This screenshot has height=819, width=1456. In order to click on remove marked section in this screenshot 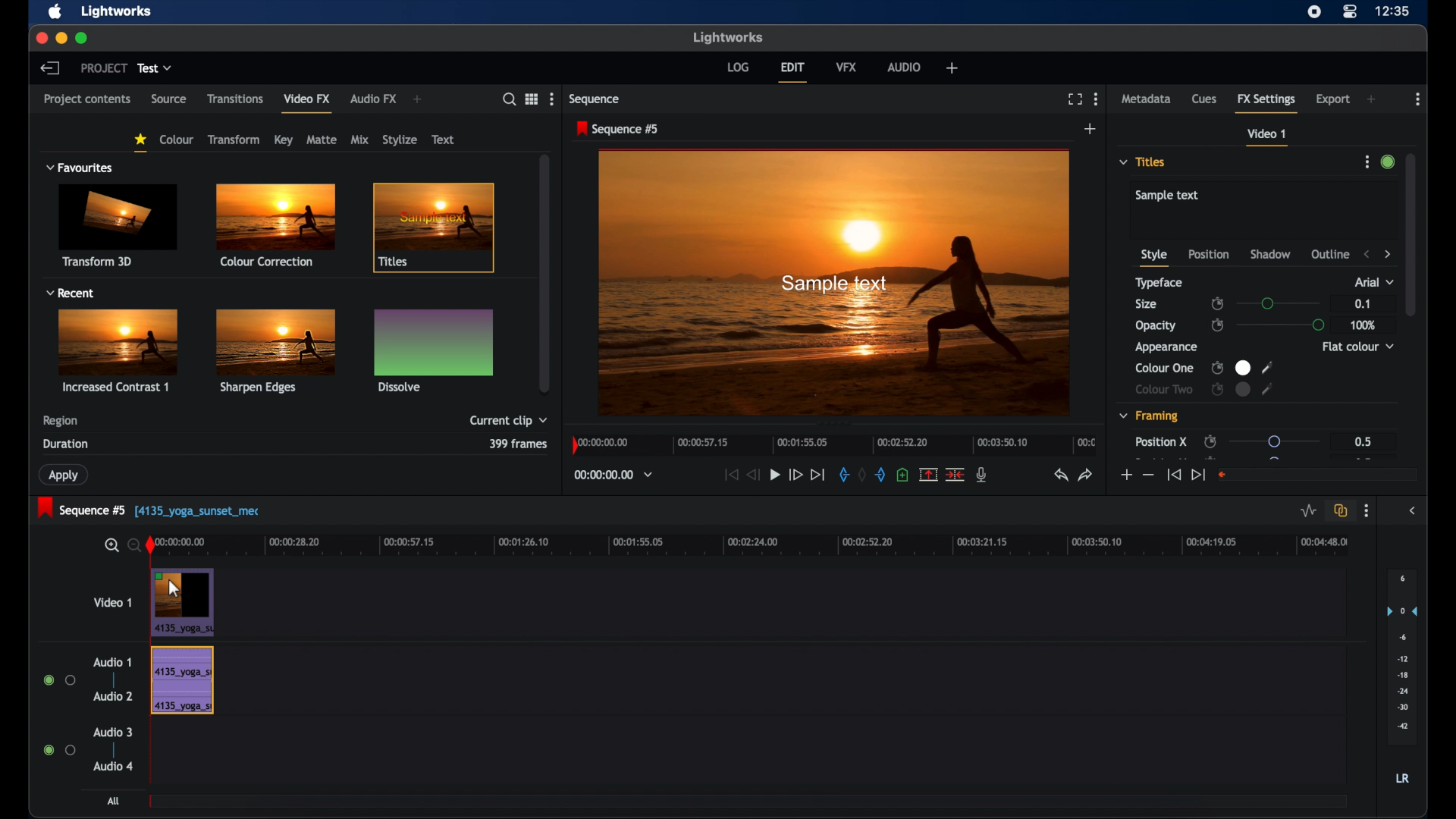, I will do `click(929, 473)`.